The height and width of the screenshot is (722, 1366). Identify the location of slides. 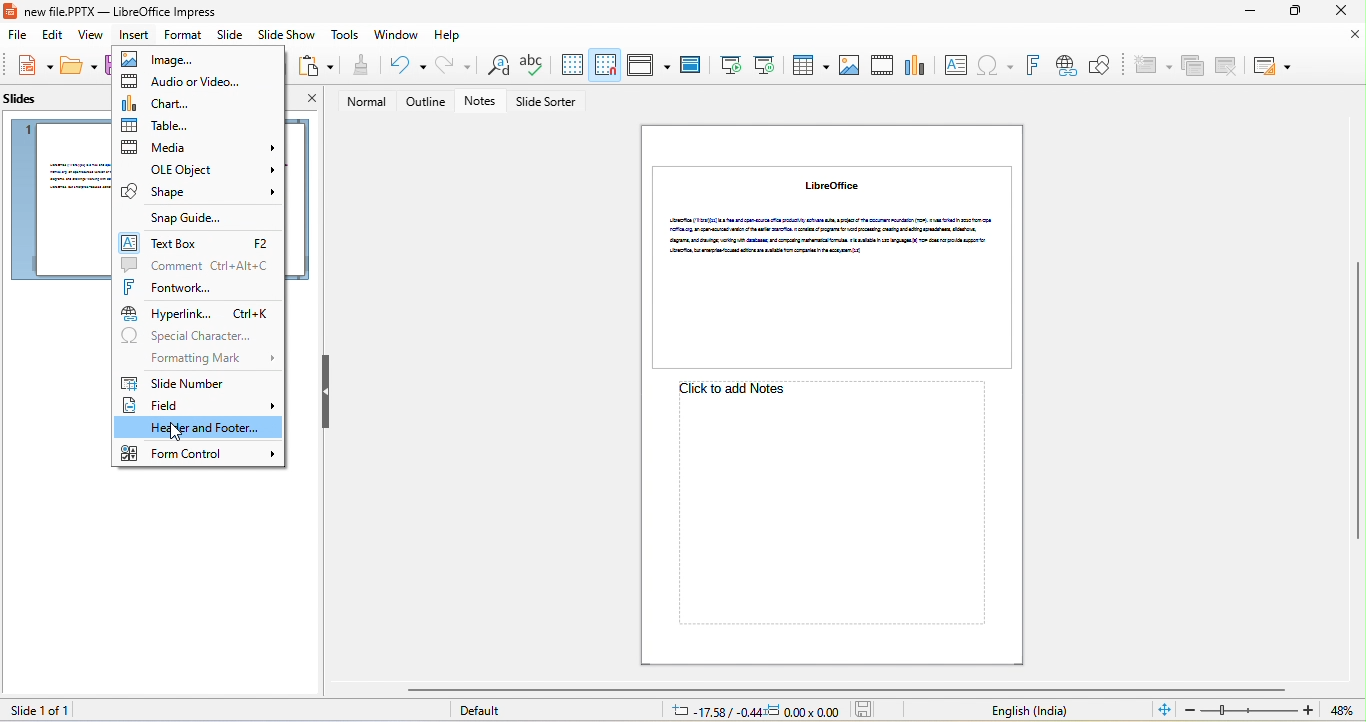
(28, 103).